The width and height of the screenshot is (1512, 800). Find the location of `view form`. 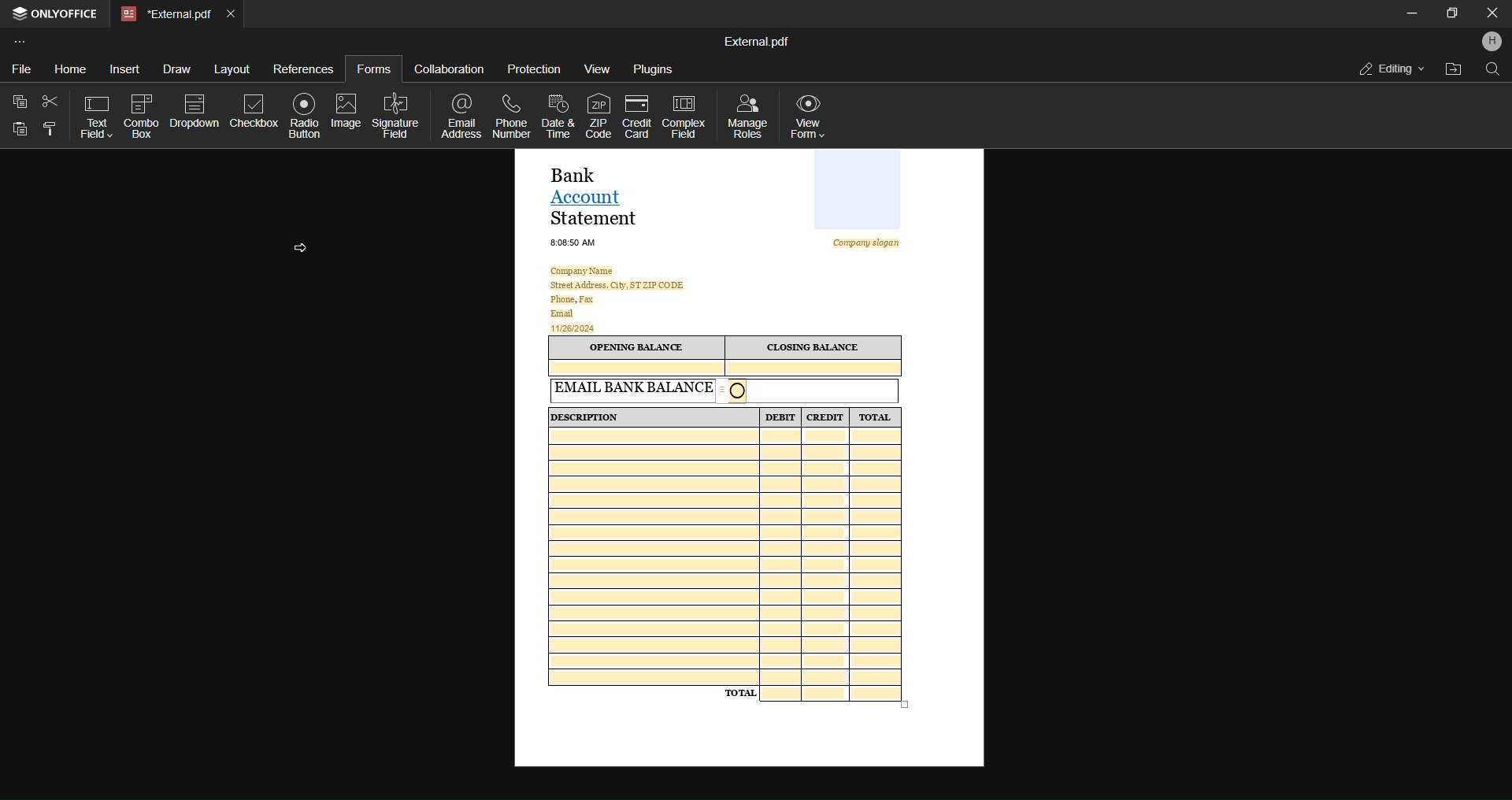

view form is located at coordinates (813, 113).